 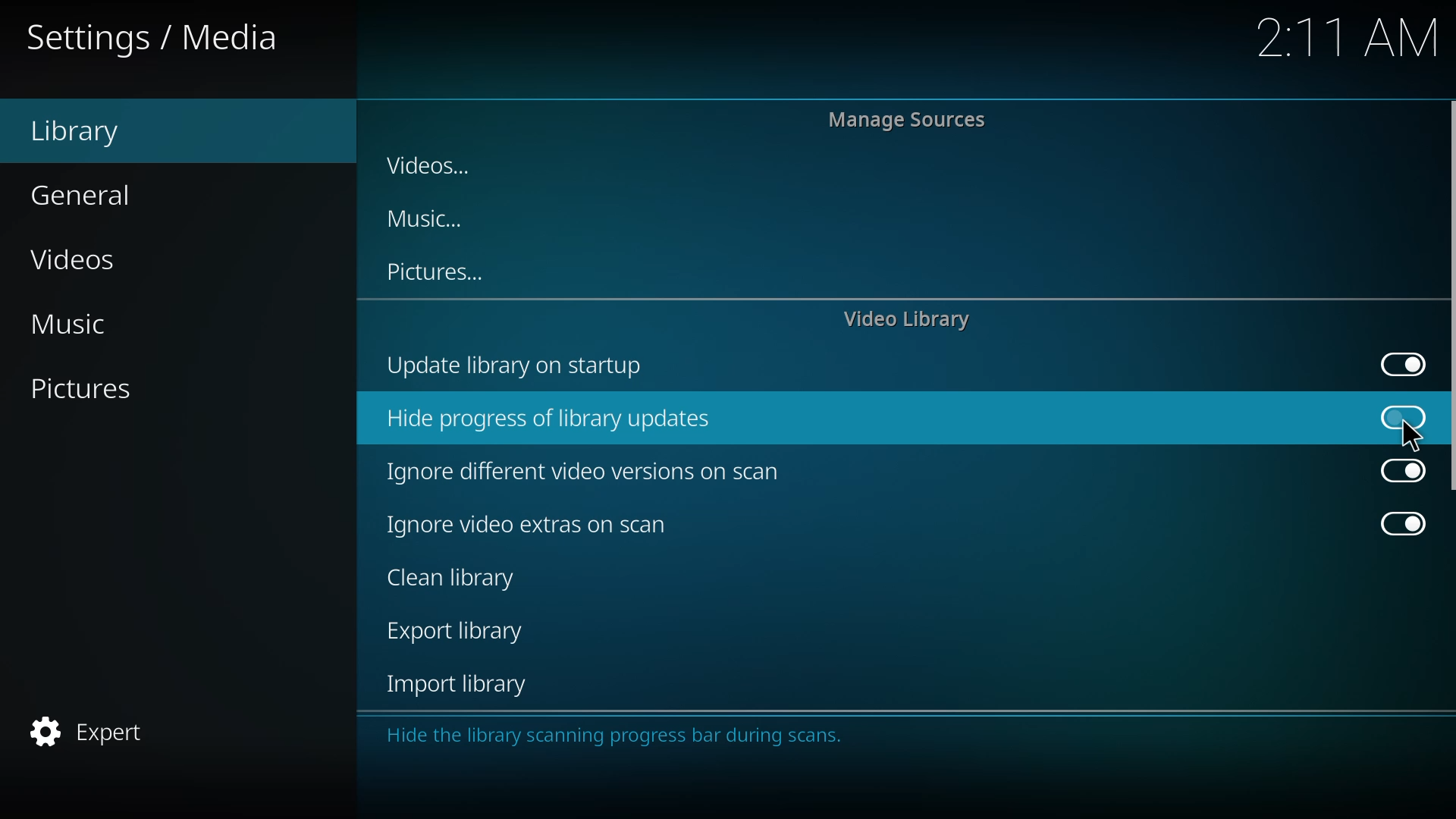 What do you see at coordinates (592, 469) in the screenshot?
I see `ignore different video versions on scan` at bounding box center [592, 469].